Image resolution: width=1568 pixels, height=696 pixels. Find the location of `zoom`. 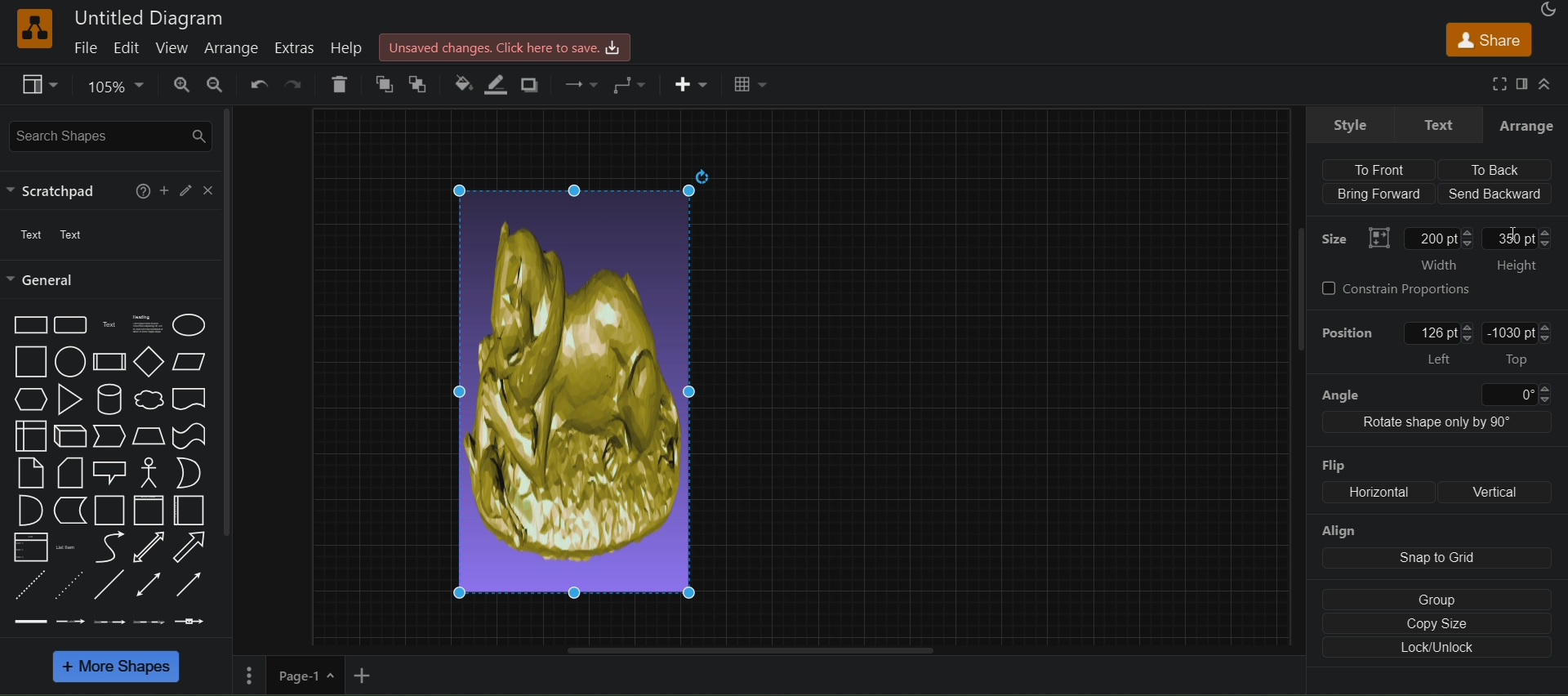

zoom is located at coordinates (111, 87).